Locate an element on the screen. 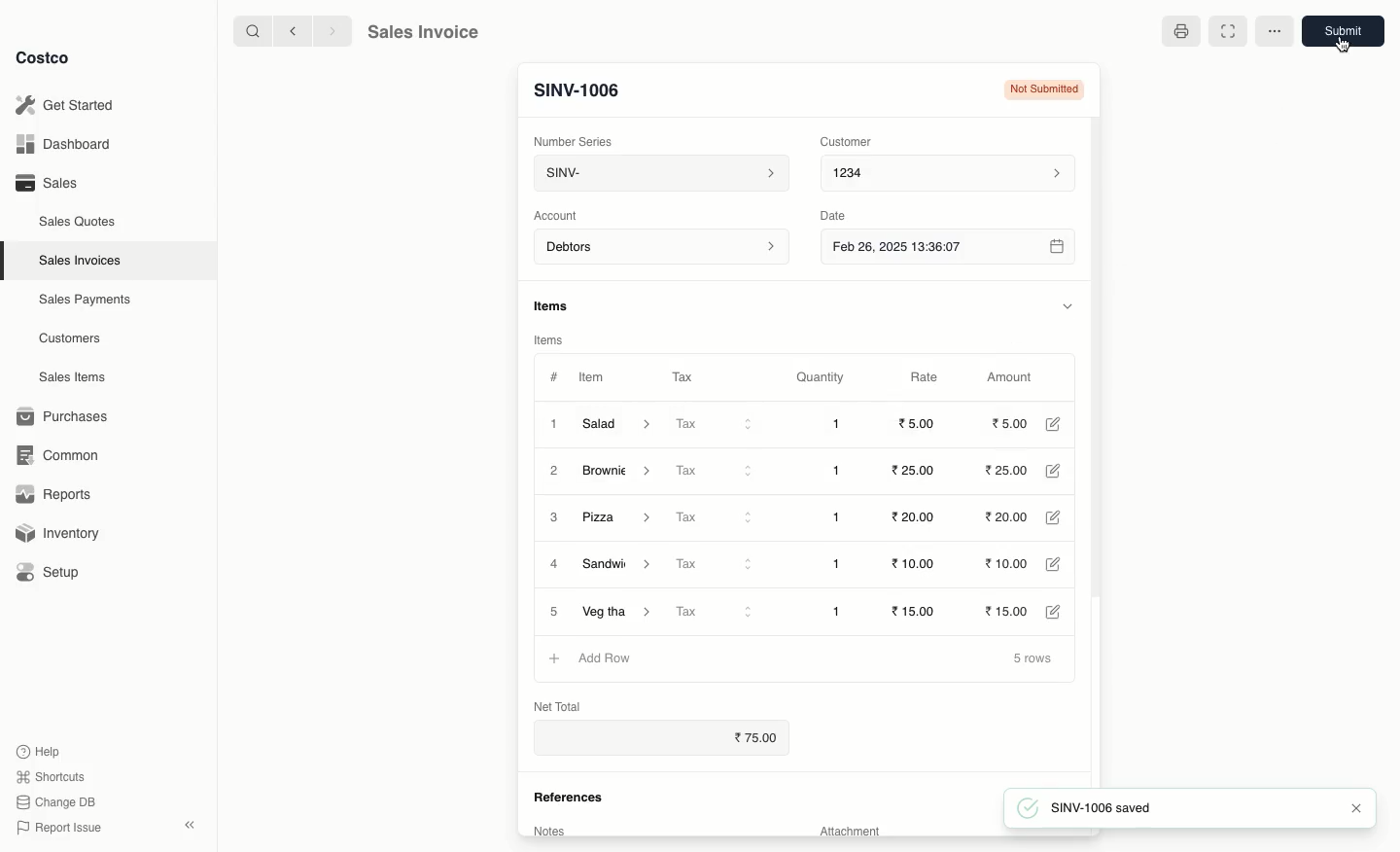  Items is located at coordinates (558, 305).